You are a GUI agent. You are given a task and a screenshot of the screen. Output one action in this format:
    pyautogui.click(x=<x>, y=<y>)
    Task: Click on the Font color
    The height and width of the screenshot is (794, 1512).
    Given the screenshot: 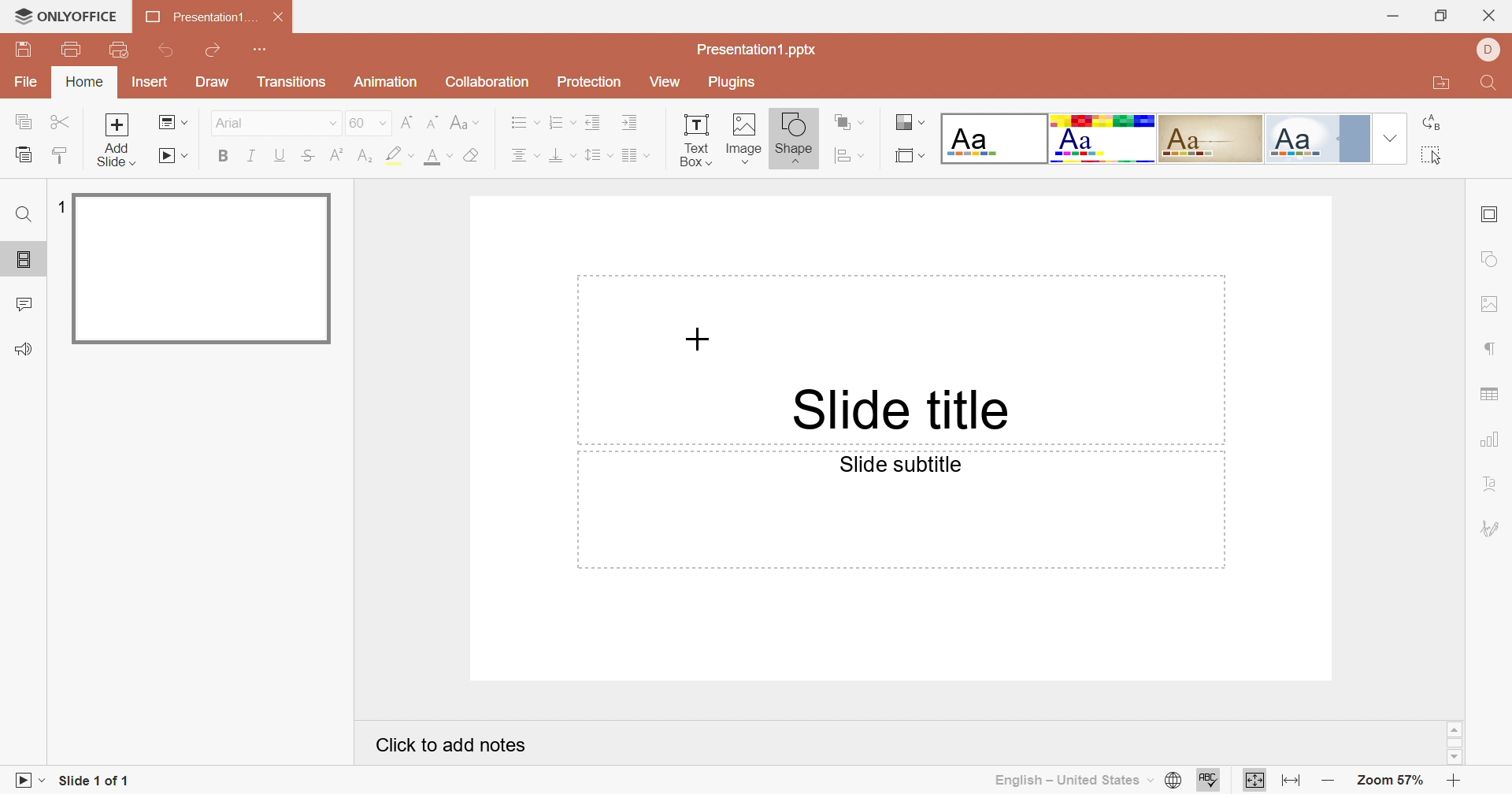 What is the action you would take?
    pyautogui.click(x=438, y=157)
    